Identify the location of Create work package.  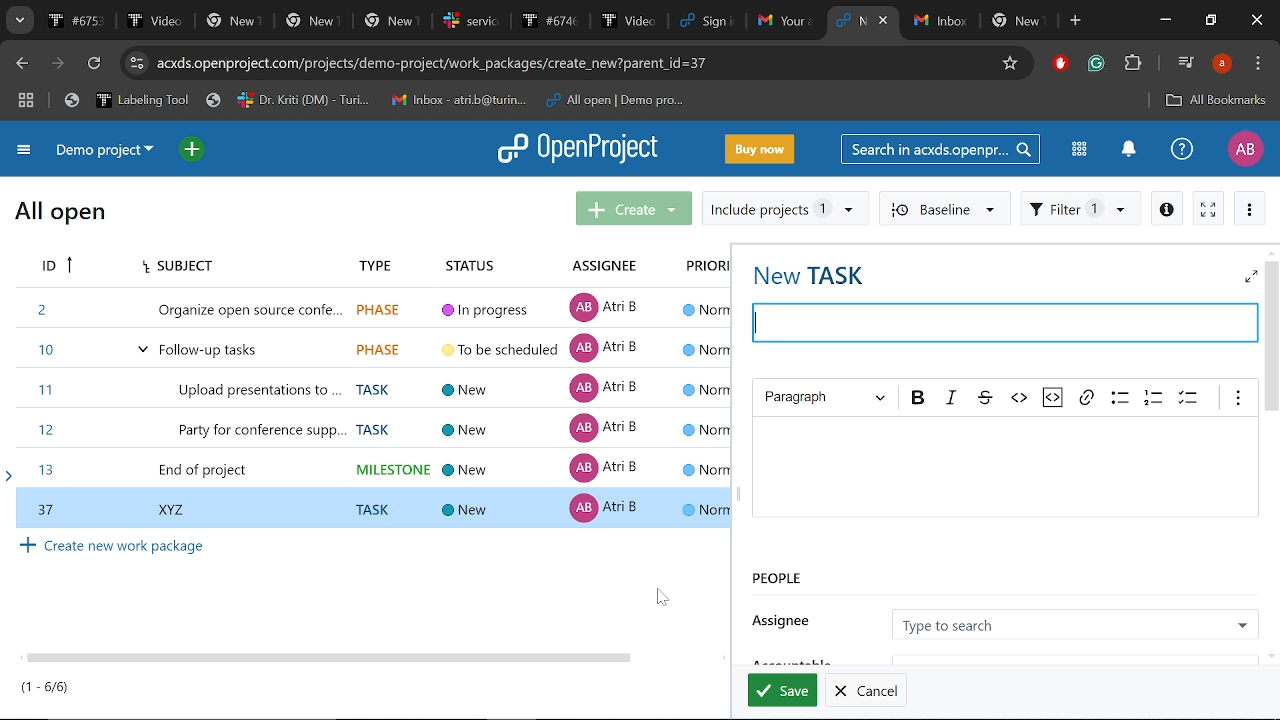
(114, 546).